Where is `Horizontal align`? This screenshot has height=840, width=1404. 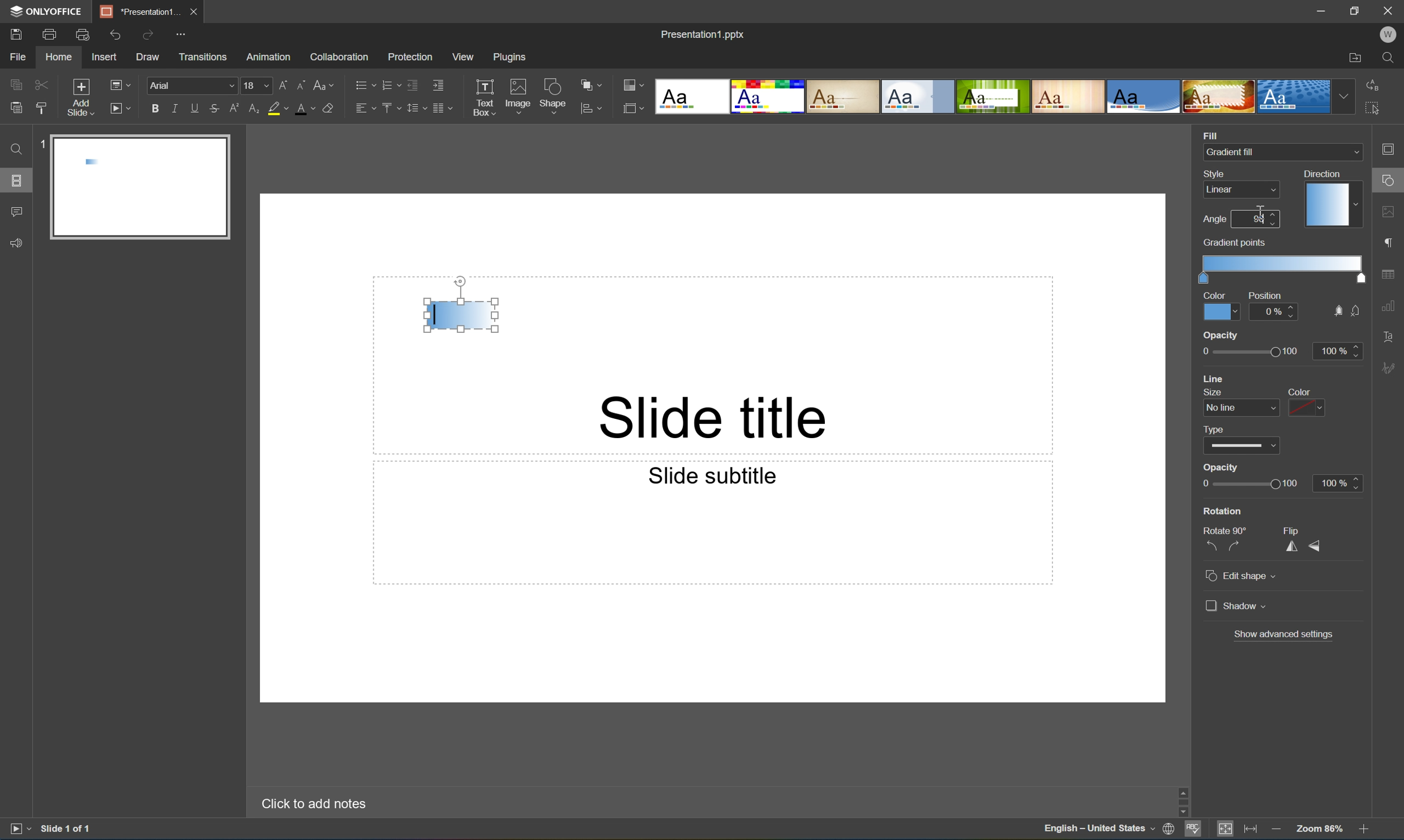
Horizontal align is located at coordinates (365, 109).